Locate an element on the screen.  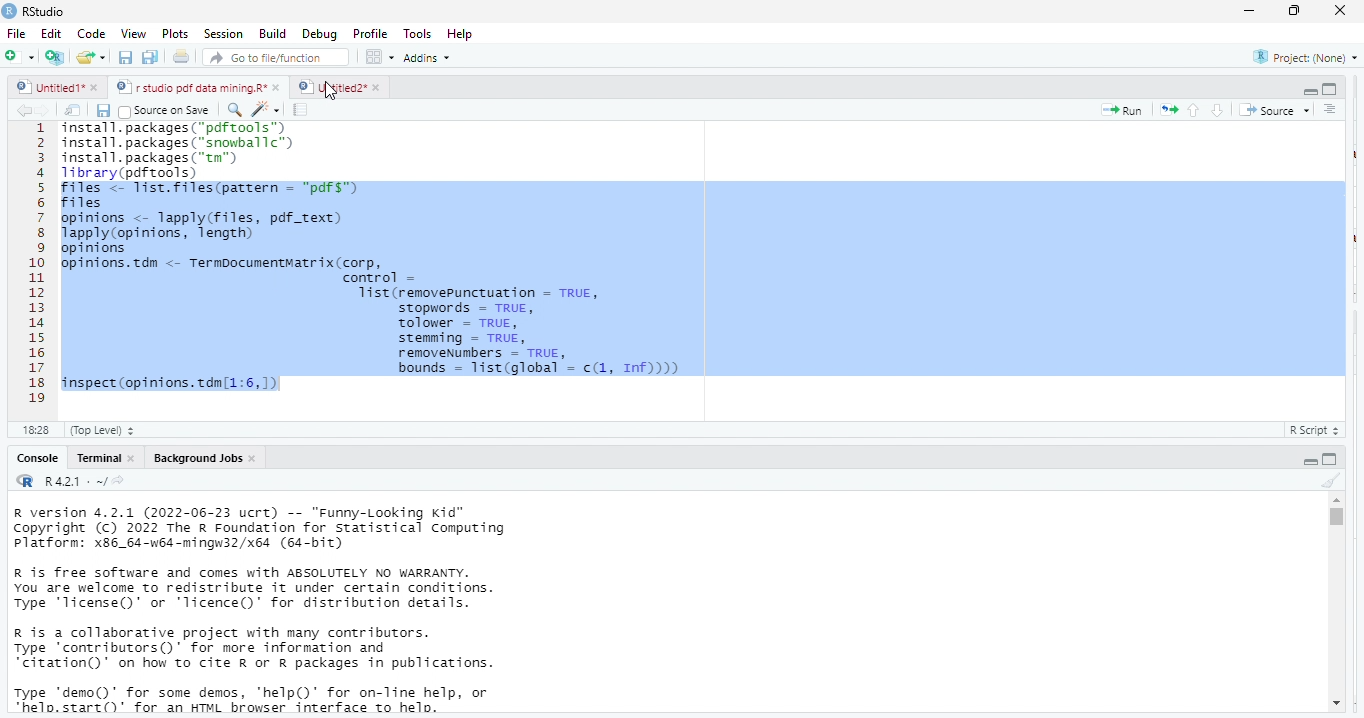
code is located at coordinates (89, 34).